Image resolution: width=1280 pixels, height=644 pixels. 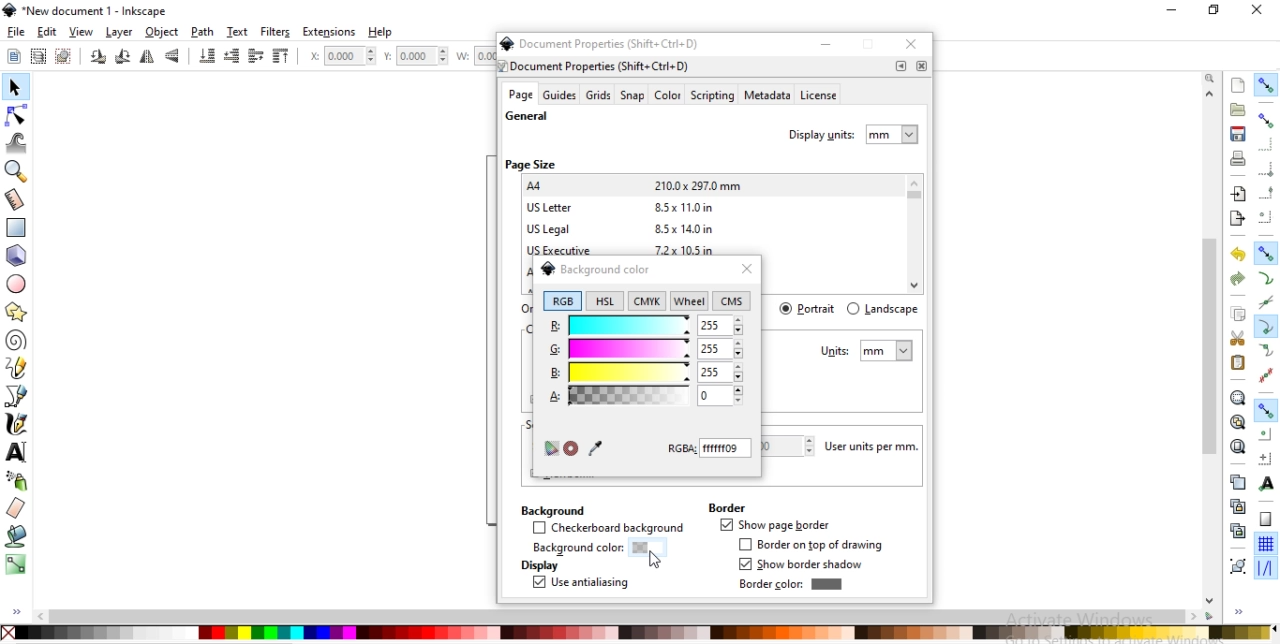 What do you see at coordinates (689, 301) in the screenshot?
I see `wheel` at bounding box center [689, 301].